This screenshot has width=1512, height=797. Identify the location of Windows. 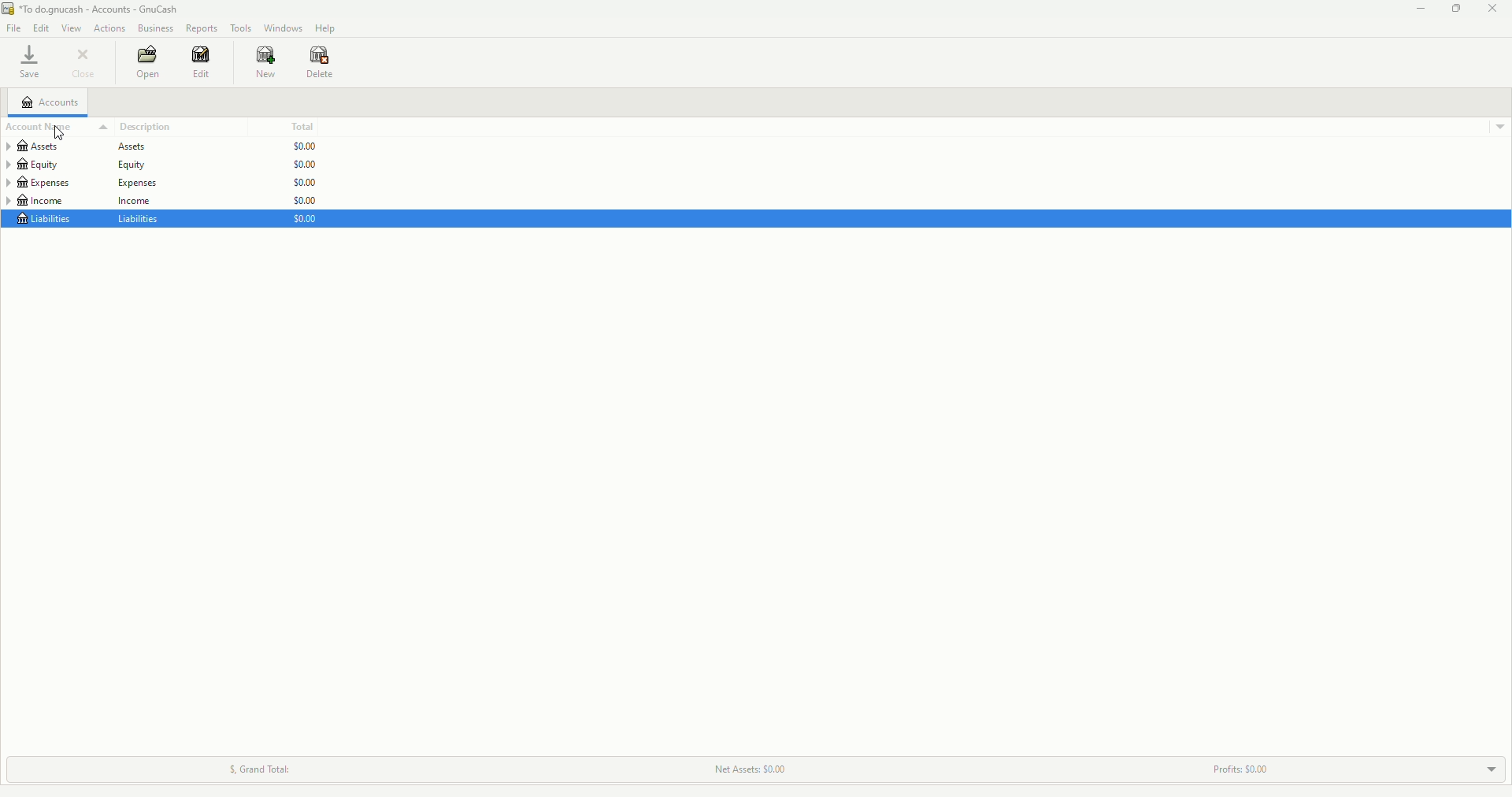
(286, 26).